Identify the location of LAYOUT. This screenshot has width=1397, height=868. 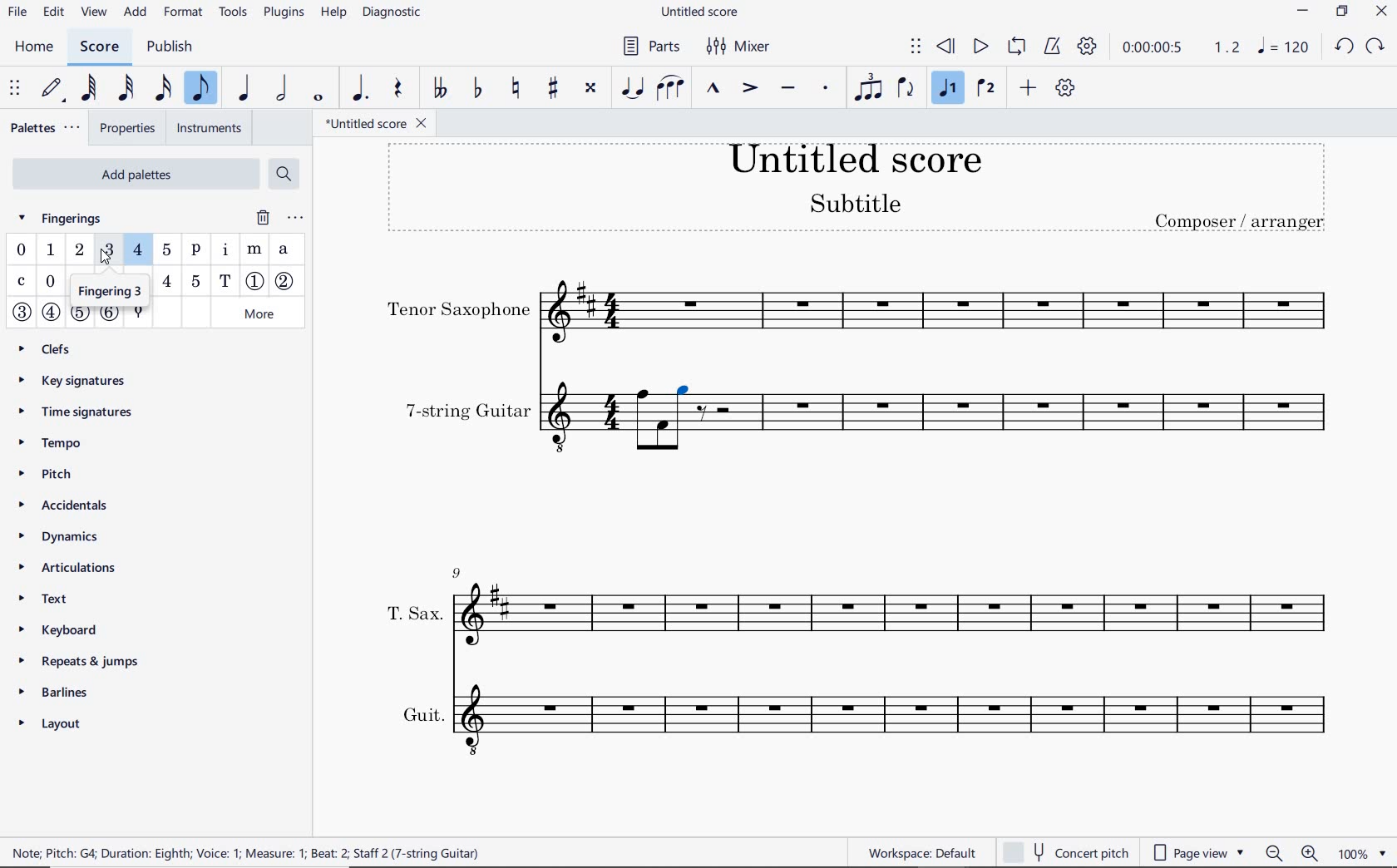
(56, 721).